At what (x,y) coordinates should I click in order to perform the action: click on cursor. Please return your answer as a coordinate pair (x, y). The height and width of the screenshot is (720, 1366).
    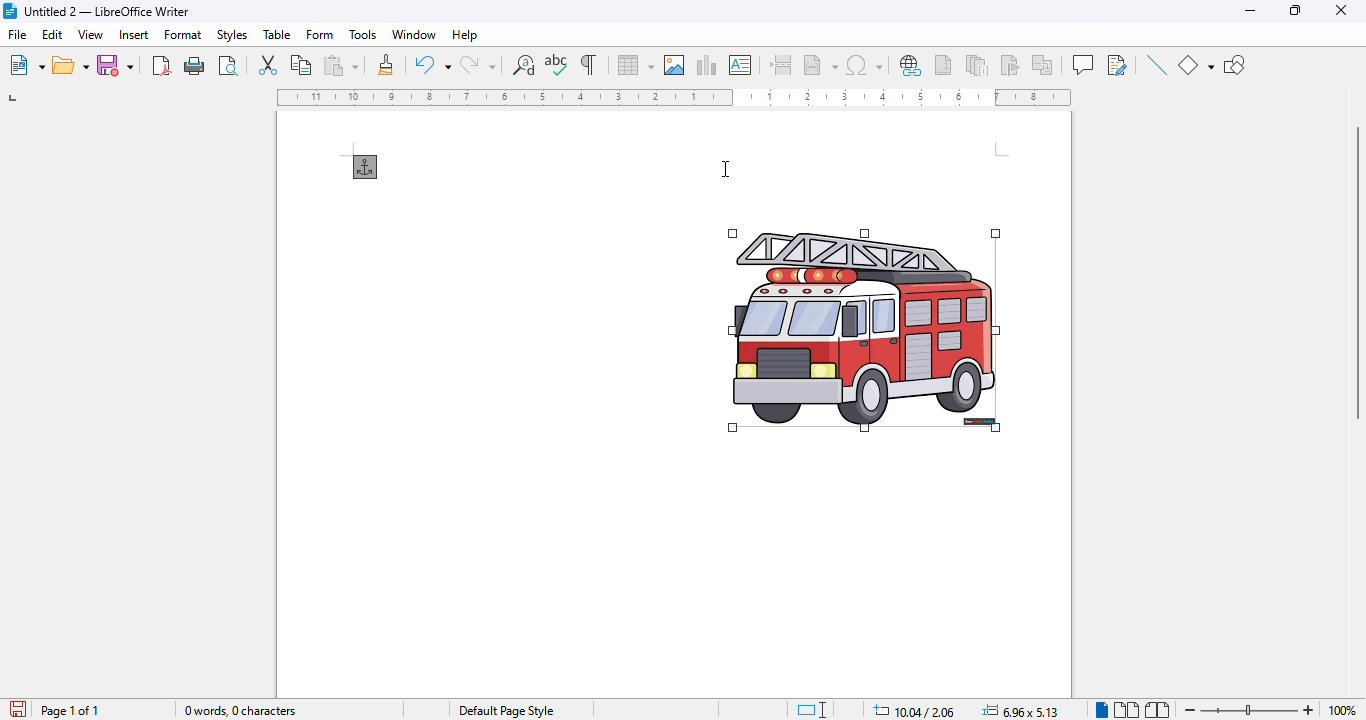
    Looking at the image, I should click on (725, 169).